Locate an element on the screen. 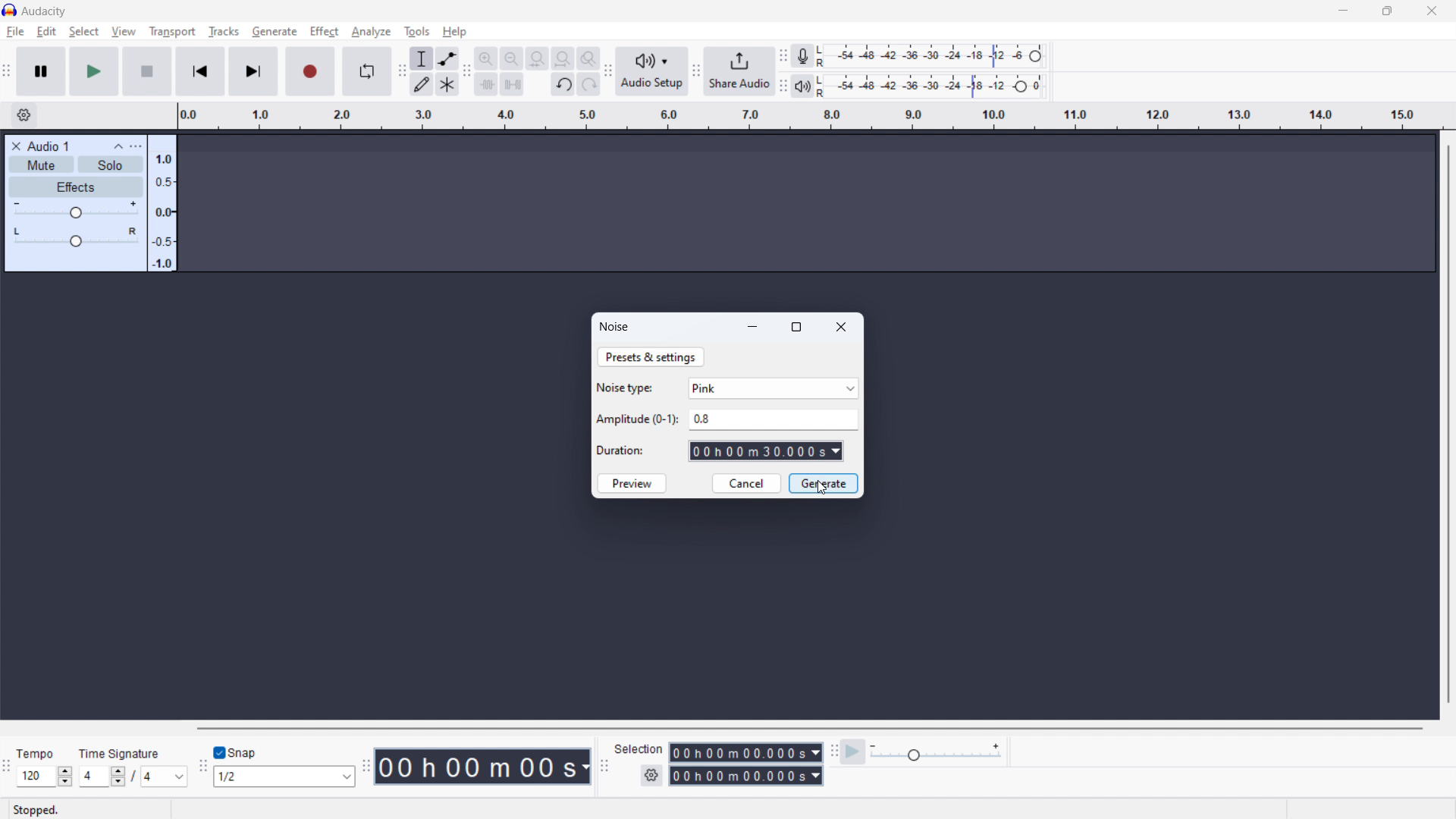 This screenshot has height=819, width=1456. silence audio selection is located at coordinates (512, 83).